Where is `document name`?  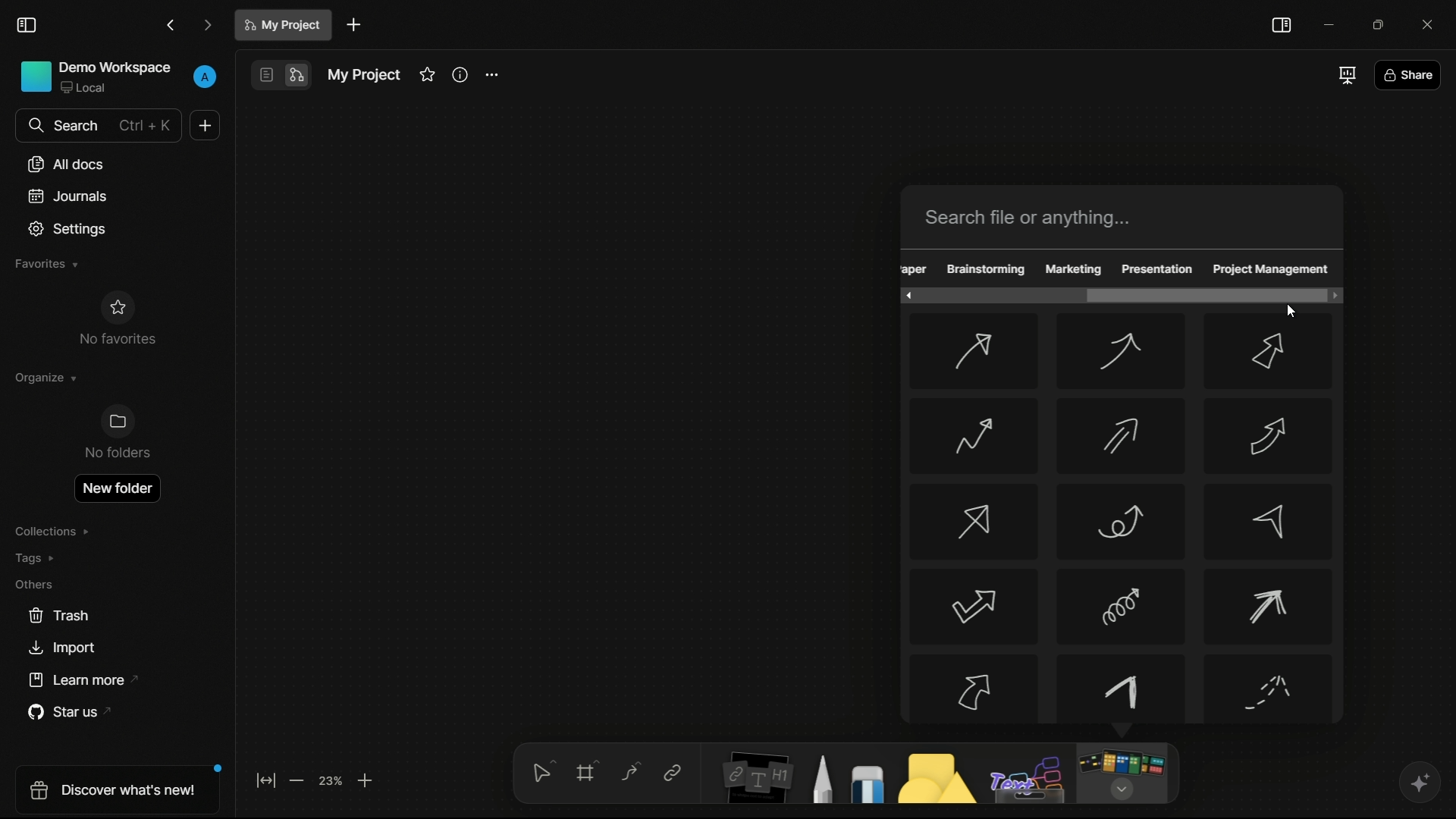
document name is located at coordinates (285, 25).